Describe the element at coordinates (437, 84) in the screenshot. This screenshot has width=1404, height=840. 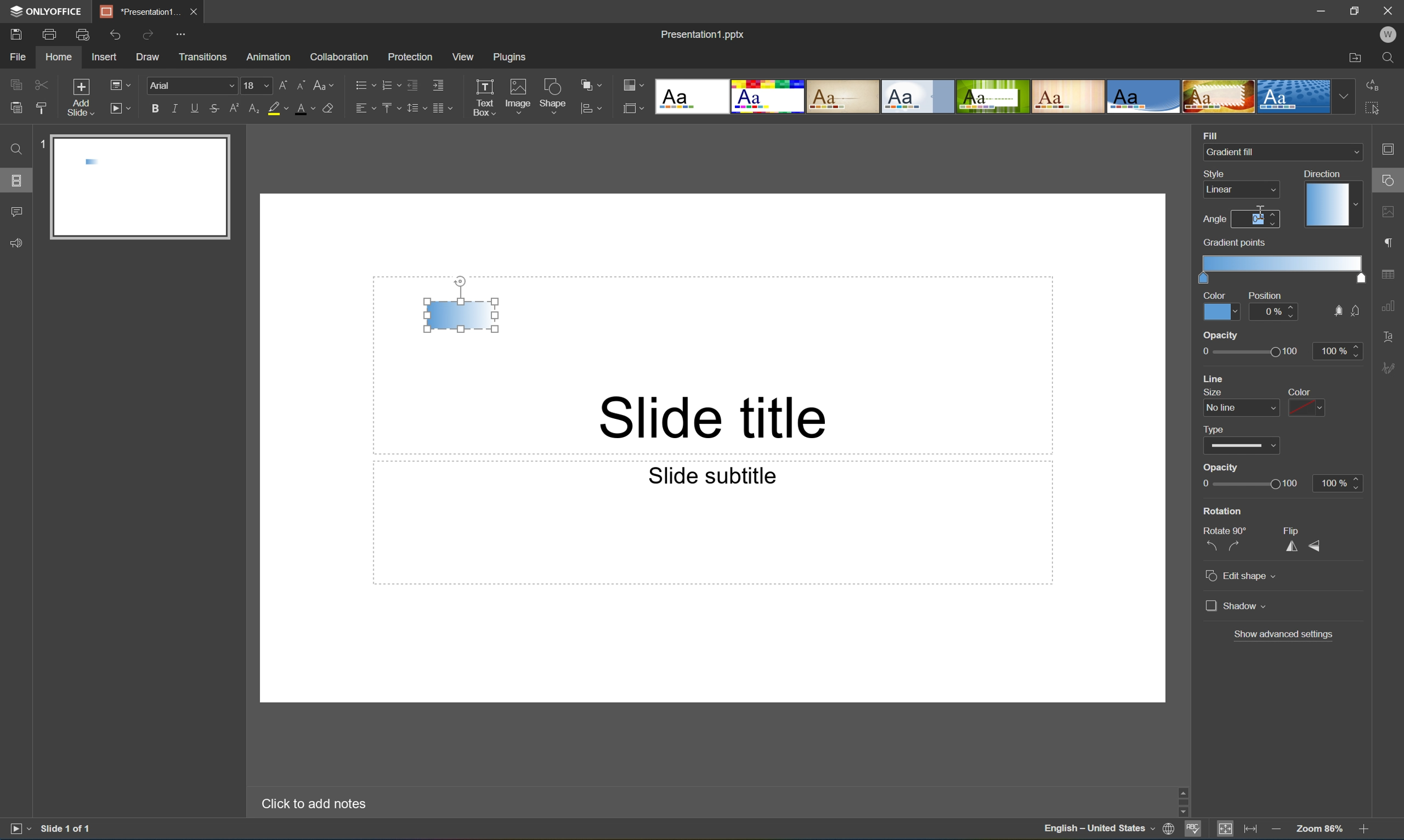
I see `Increase indent` at that location.